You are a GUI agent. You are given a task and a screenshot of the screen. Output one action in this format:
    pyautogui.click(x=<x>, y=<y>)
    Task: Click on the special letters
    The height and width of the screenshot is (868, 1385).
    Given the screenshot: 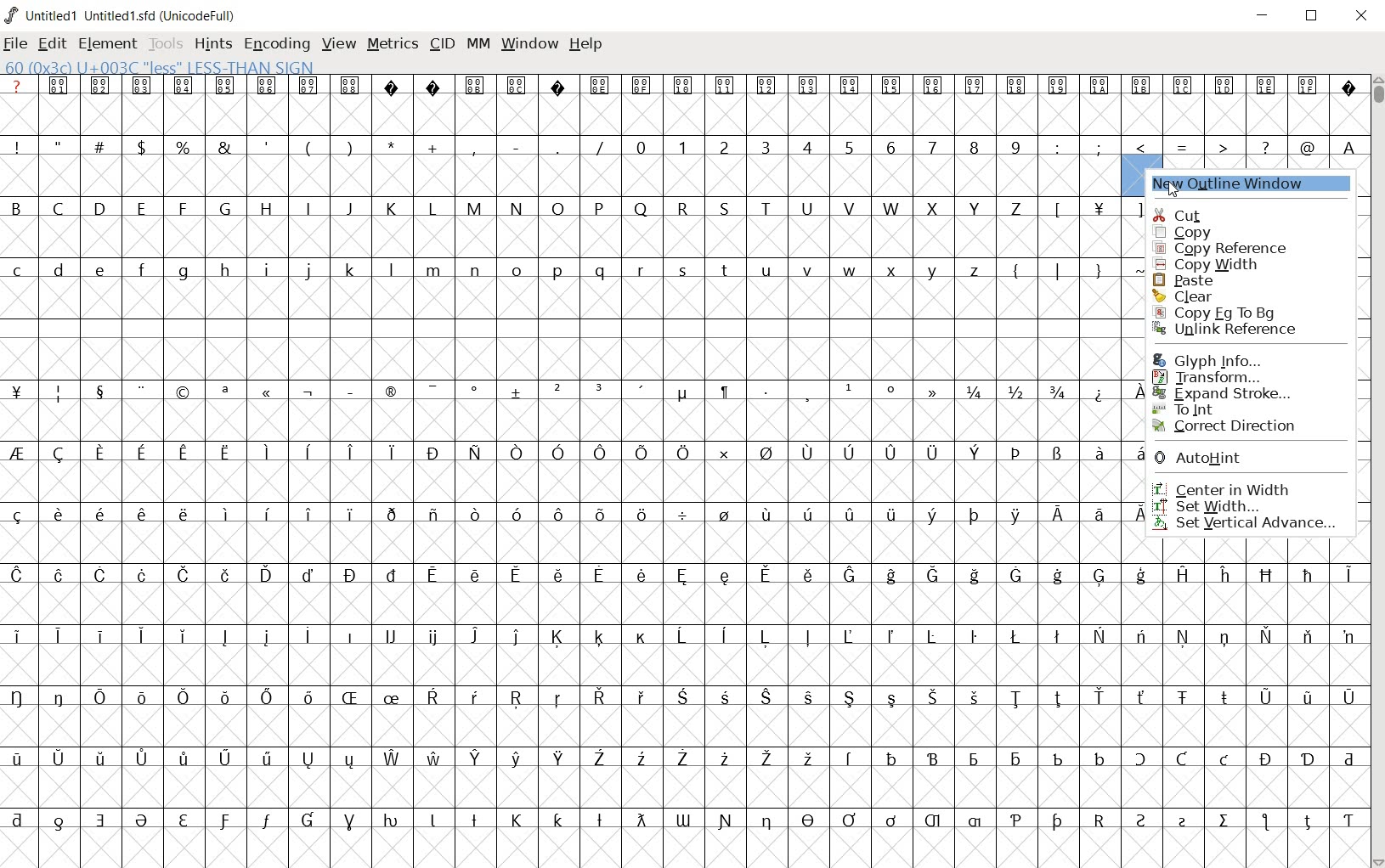 What is the action you would take?
    pyautogui.click(x=687, y=818)
    